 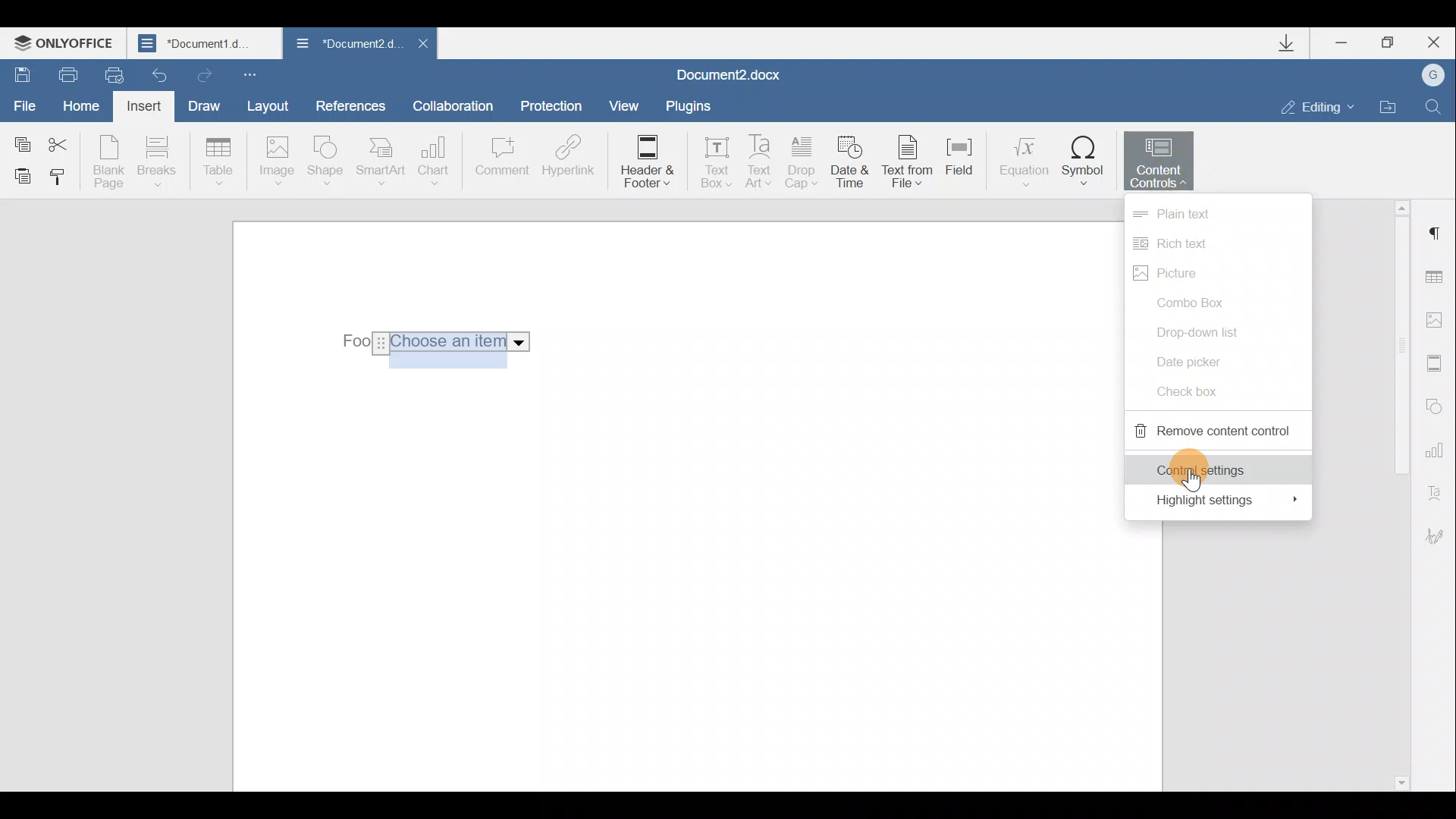 I want to click on Drop cap, so click(x=802, y=164).